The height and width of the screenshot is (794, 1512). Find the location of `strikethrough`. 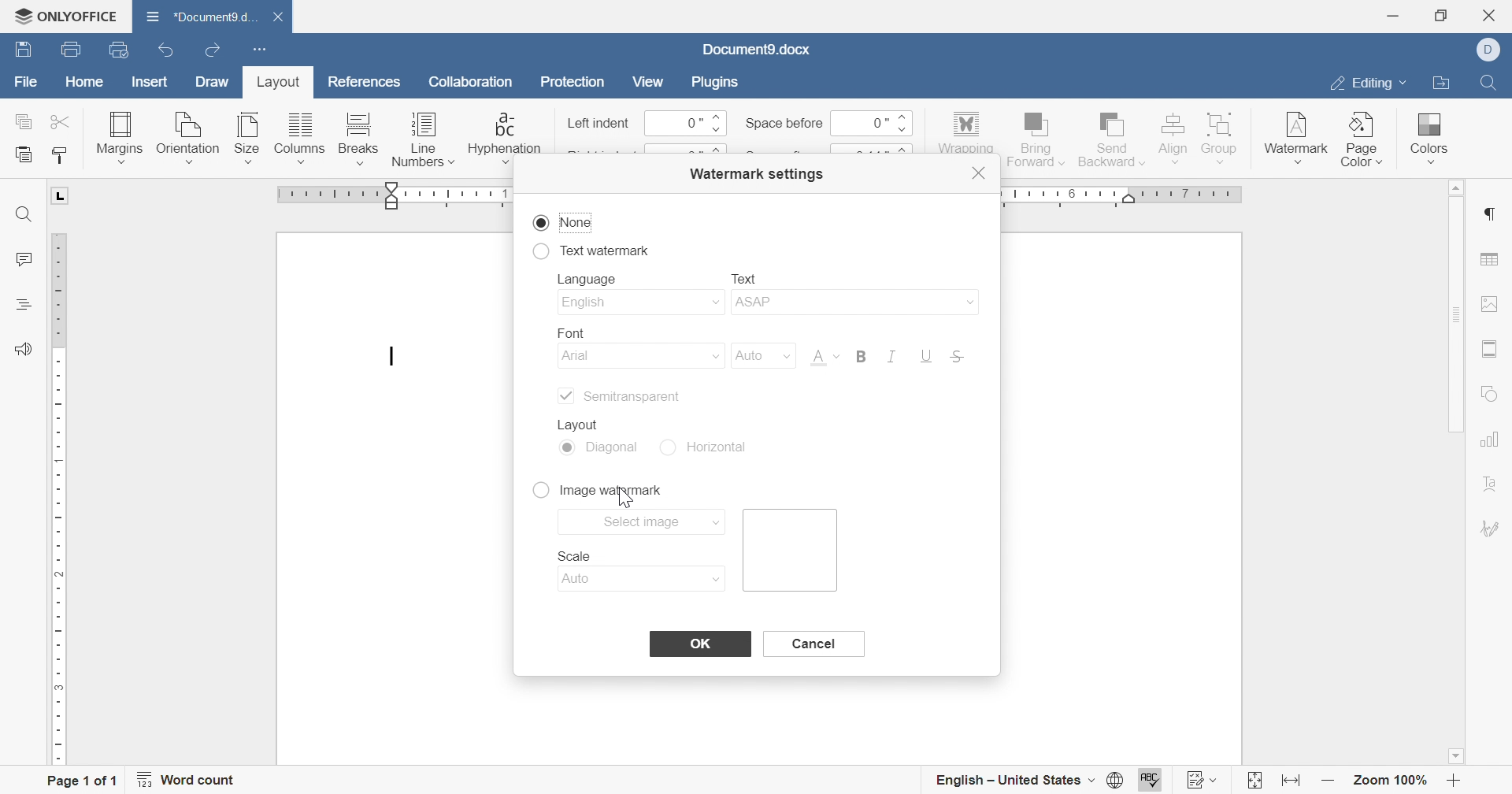

strikethrough is located at coordinates (958, 358).